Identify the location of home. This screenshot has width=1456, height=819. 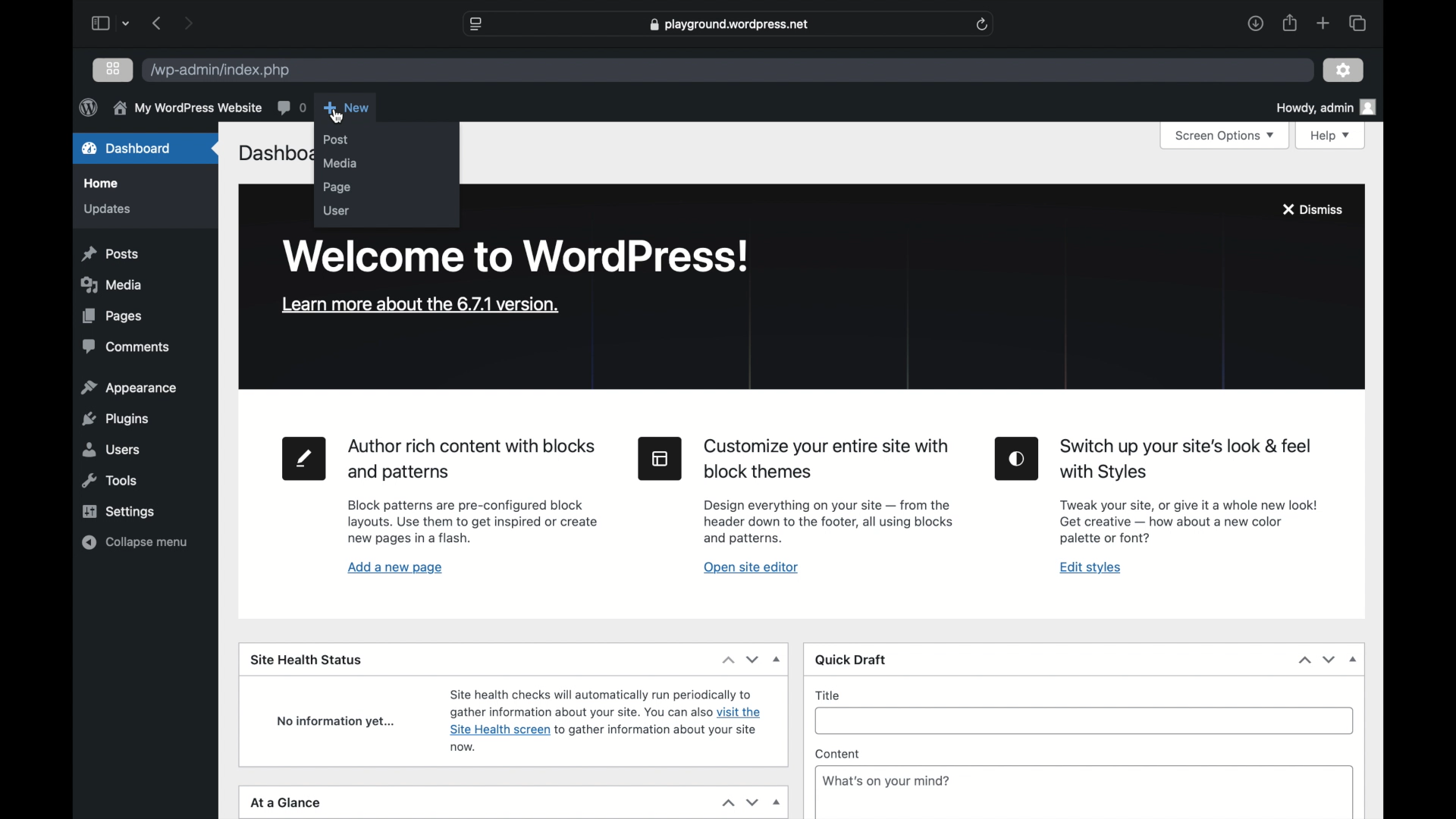
(100, 182).